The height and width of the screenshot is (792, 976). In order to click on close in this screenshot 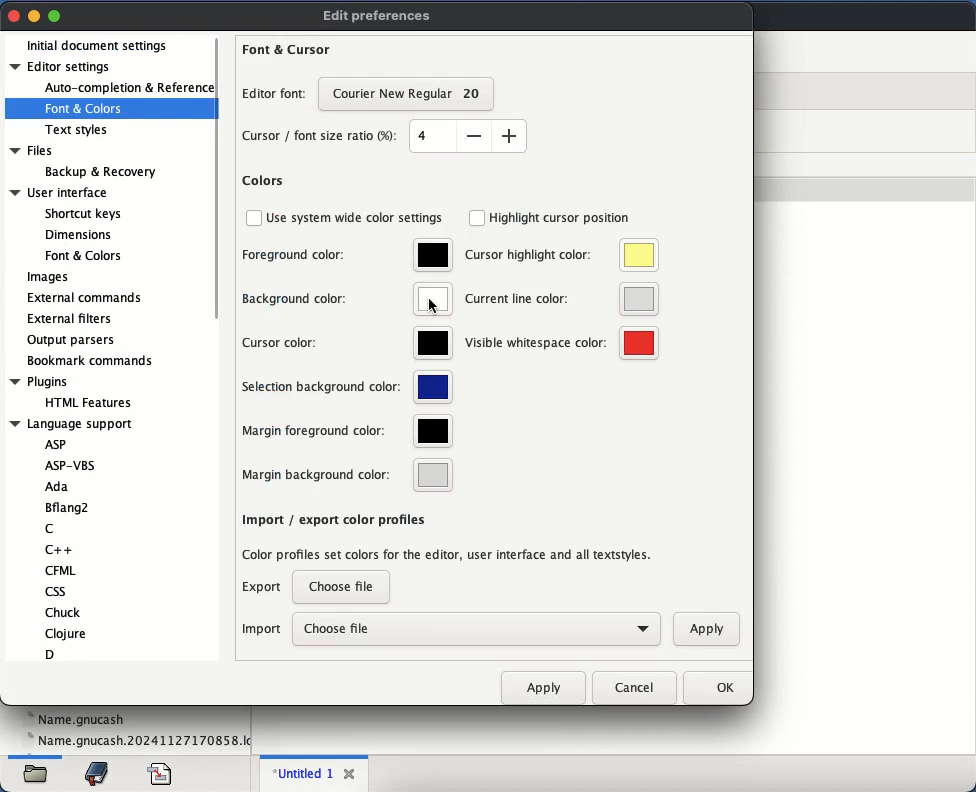, I will do `click(349, 774)`.